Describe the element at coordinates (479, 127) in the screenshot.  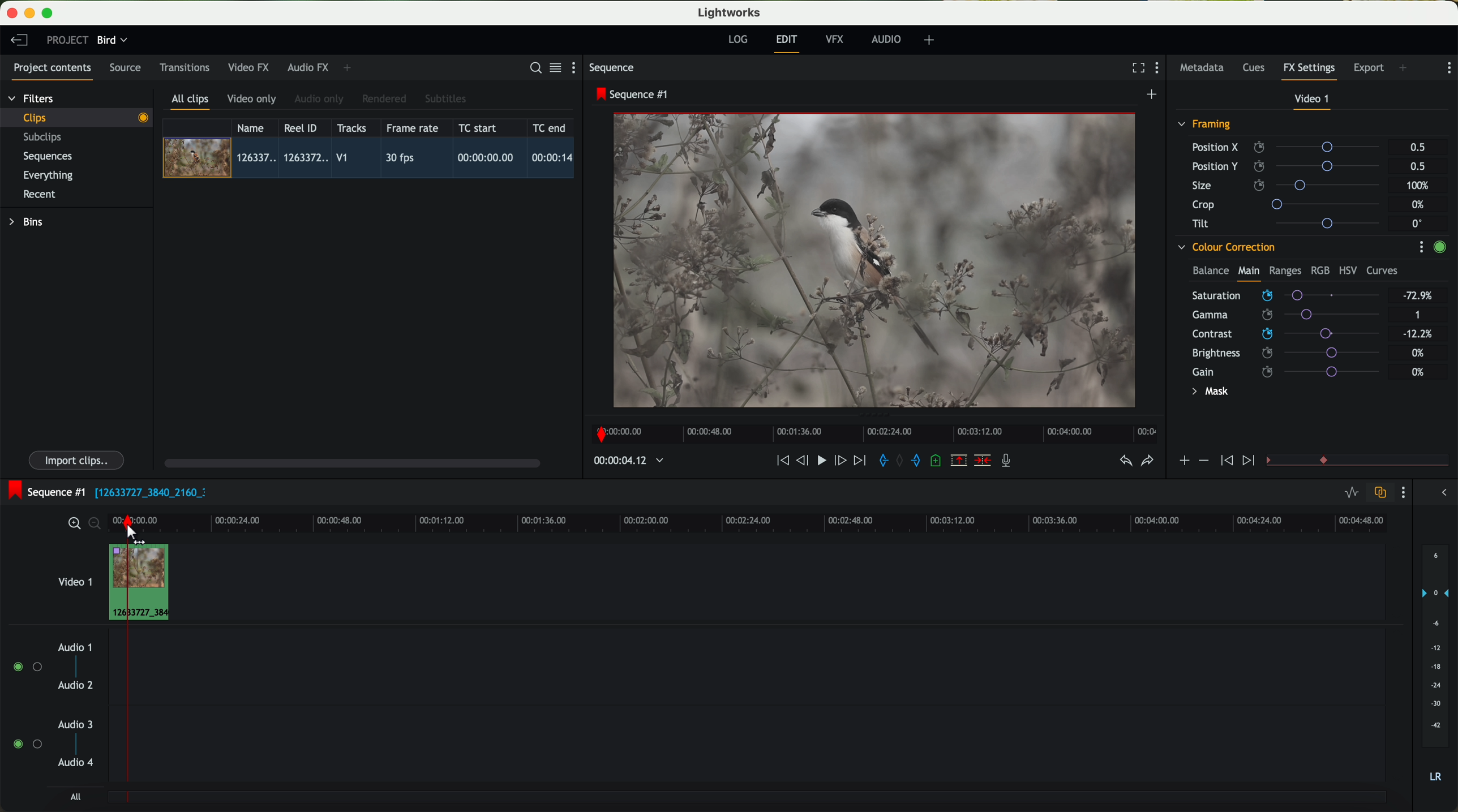
I see `TC start` at that location.